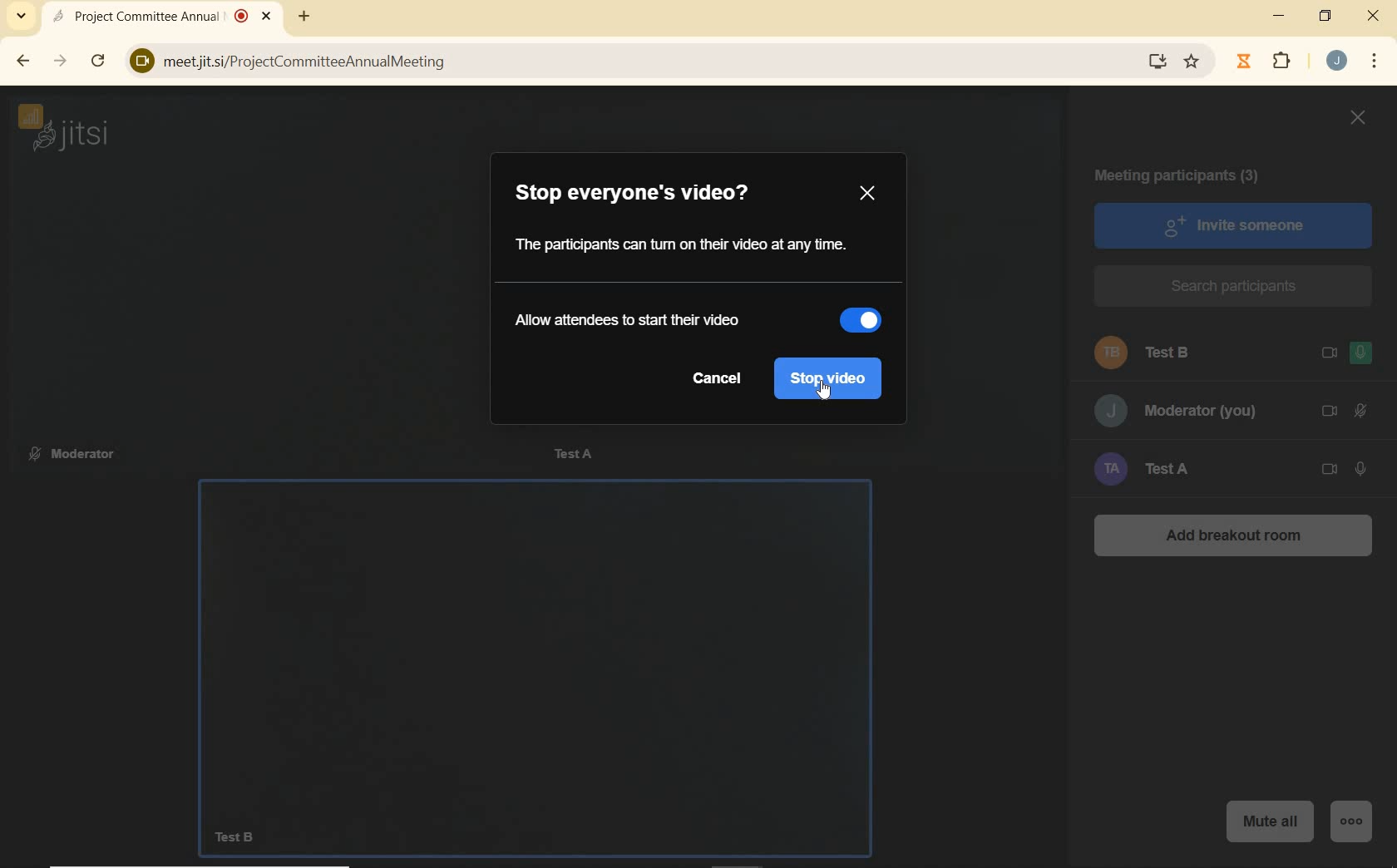 The width and height of the screenshot is (1397, 868). What do you see at coordinates (1235, 286) in the screenshot?
I see `SEARCH PARTICIPANTS` at bounding box center [1235, 286].